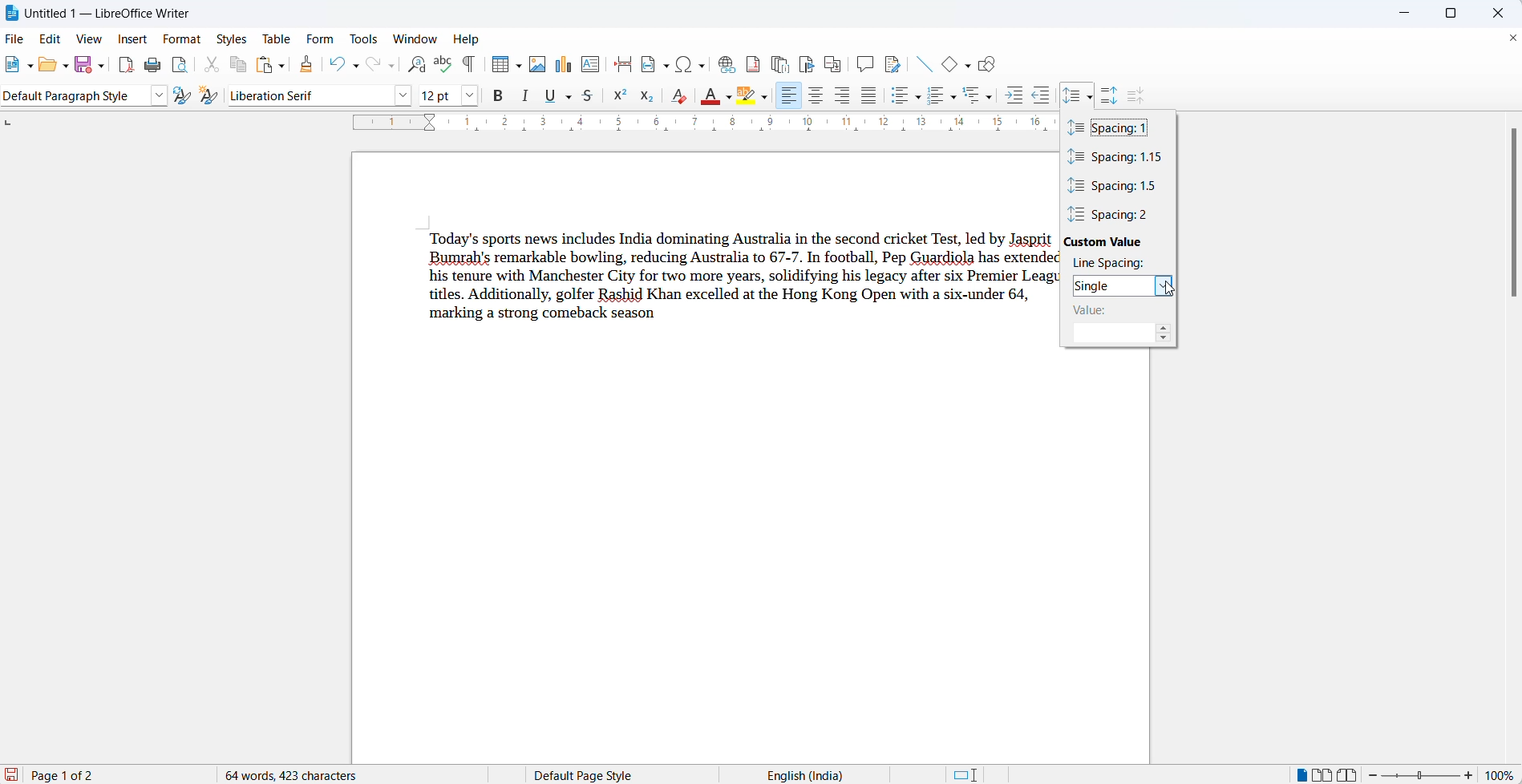  What do you see at coordinates (654, 65) in the screenshot?
I see `field` at bounding box center [654, 65].